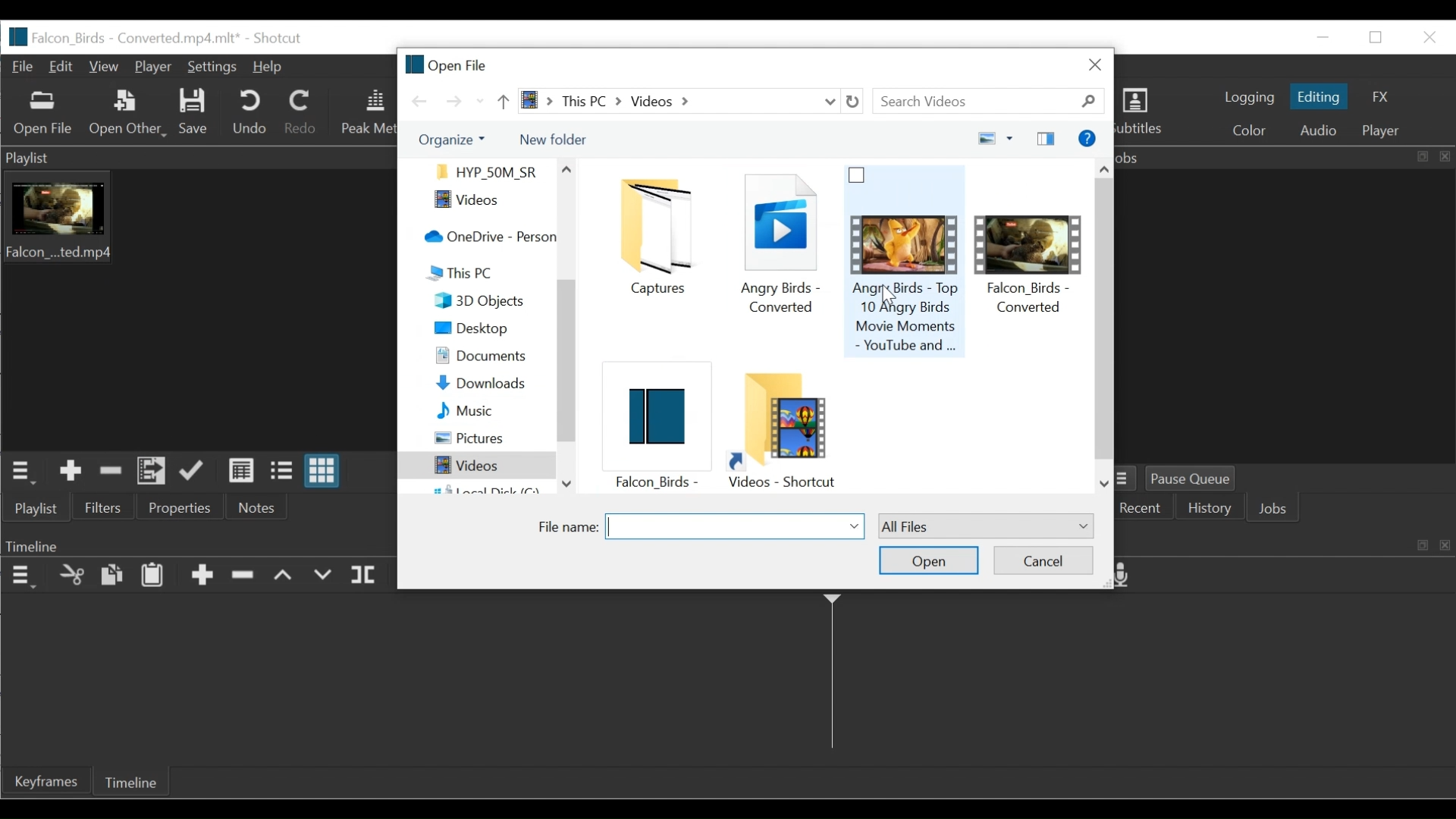  What do you see at coordinates (927, 561) in the screenshot?
I see `Open` at bounding box center [927, 561].